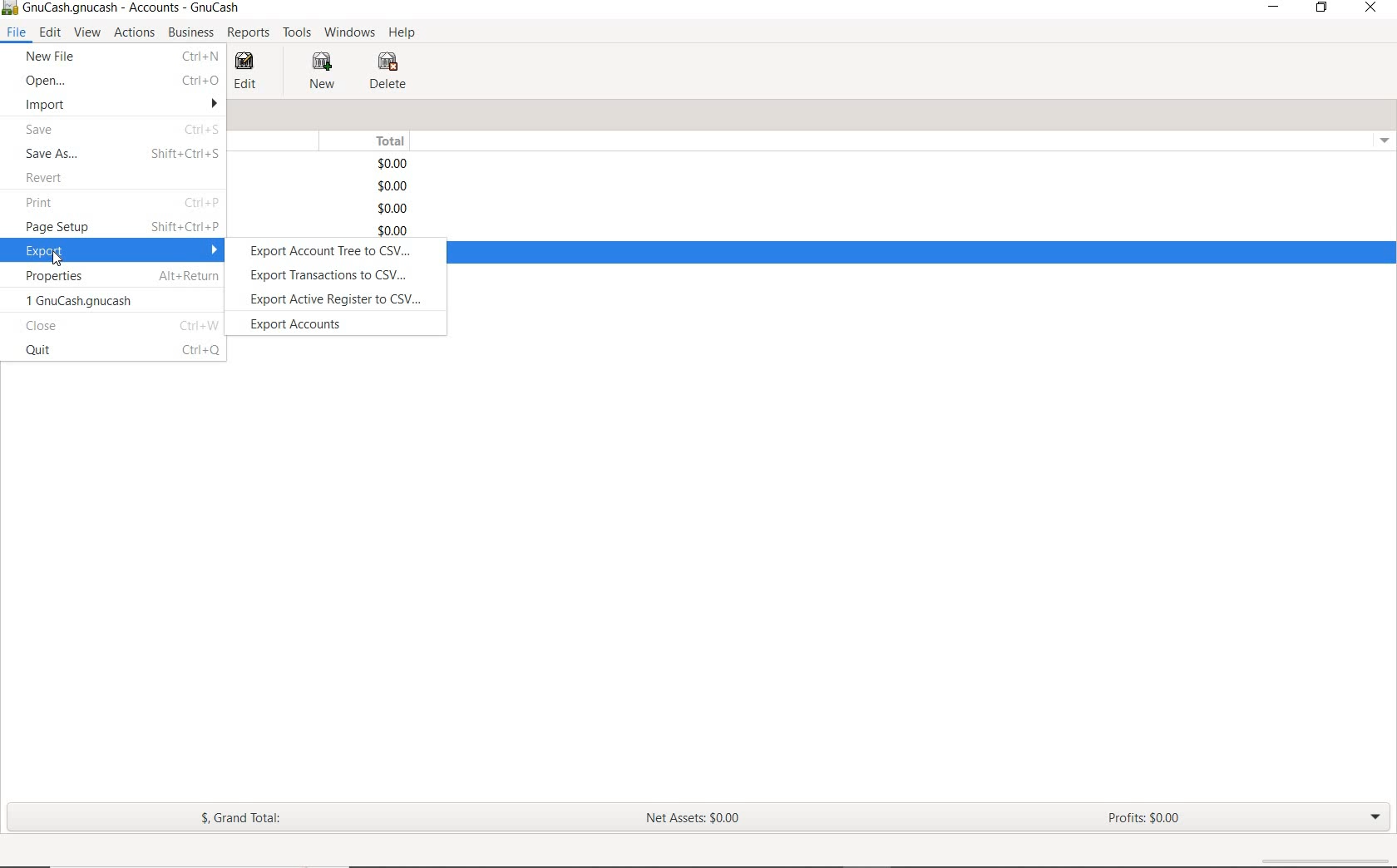  Describe the element at coordinates (90, 32) in the screenshot. I see `VIEW` at that location.